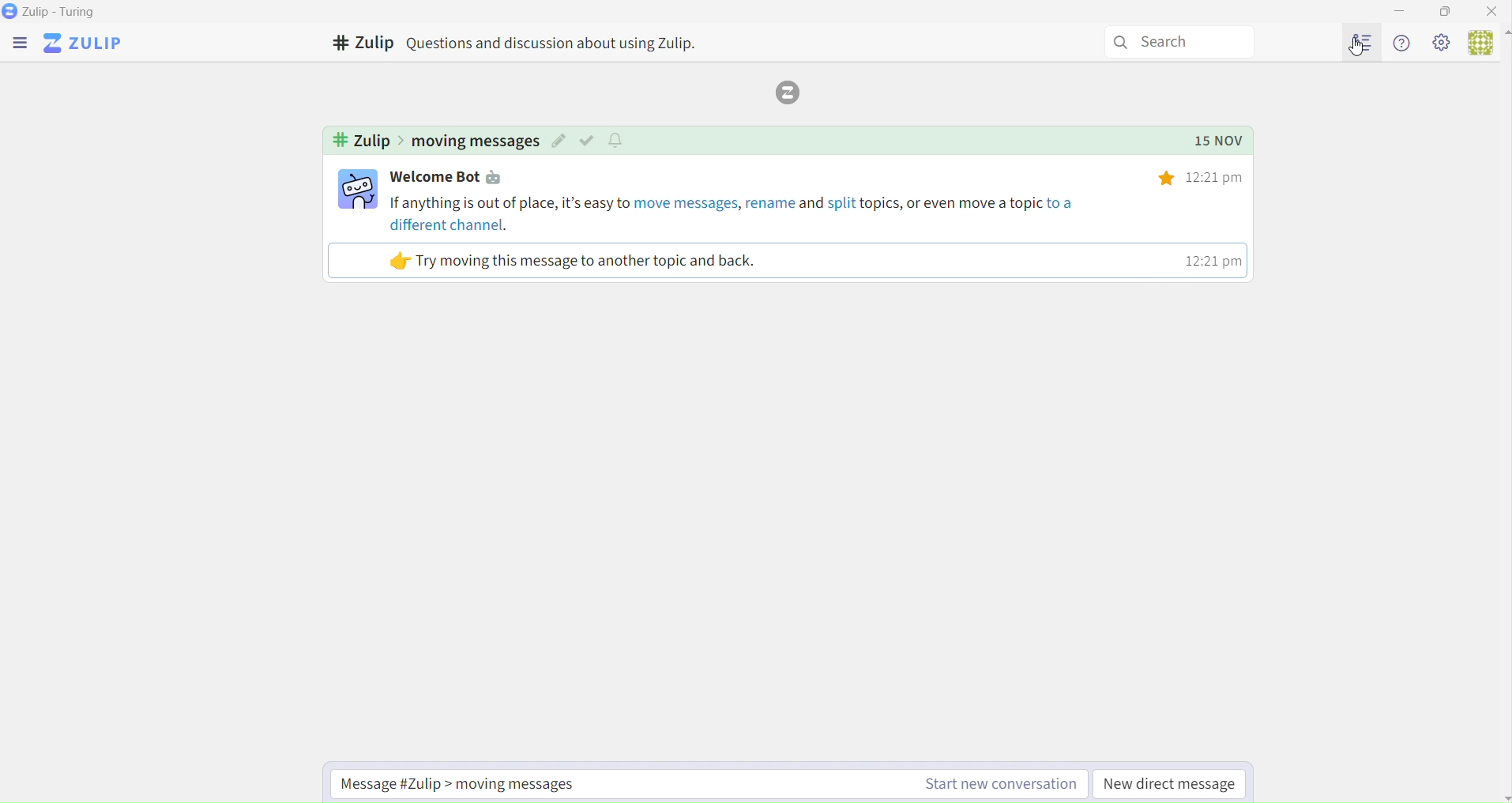 The height and width of the screenshot is (803, 1512). Describe the element at coordinates (559, 43) in the screenshot. I see `Questions and discussion about using Zulip.` at that location.